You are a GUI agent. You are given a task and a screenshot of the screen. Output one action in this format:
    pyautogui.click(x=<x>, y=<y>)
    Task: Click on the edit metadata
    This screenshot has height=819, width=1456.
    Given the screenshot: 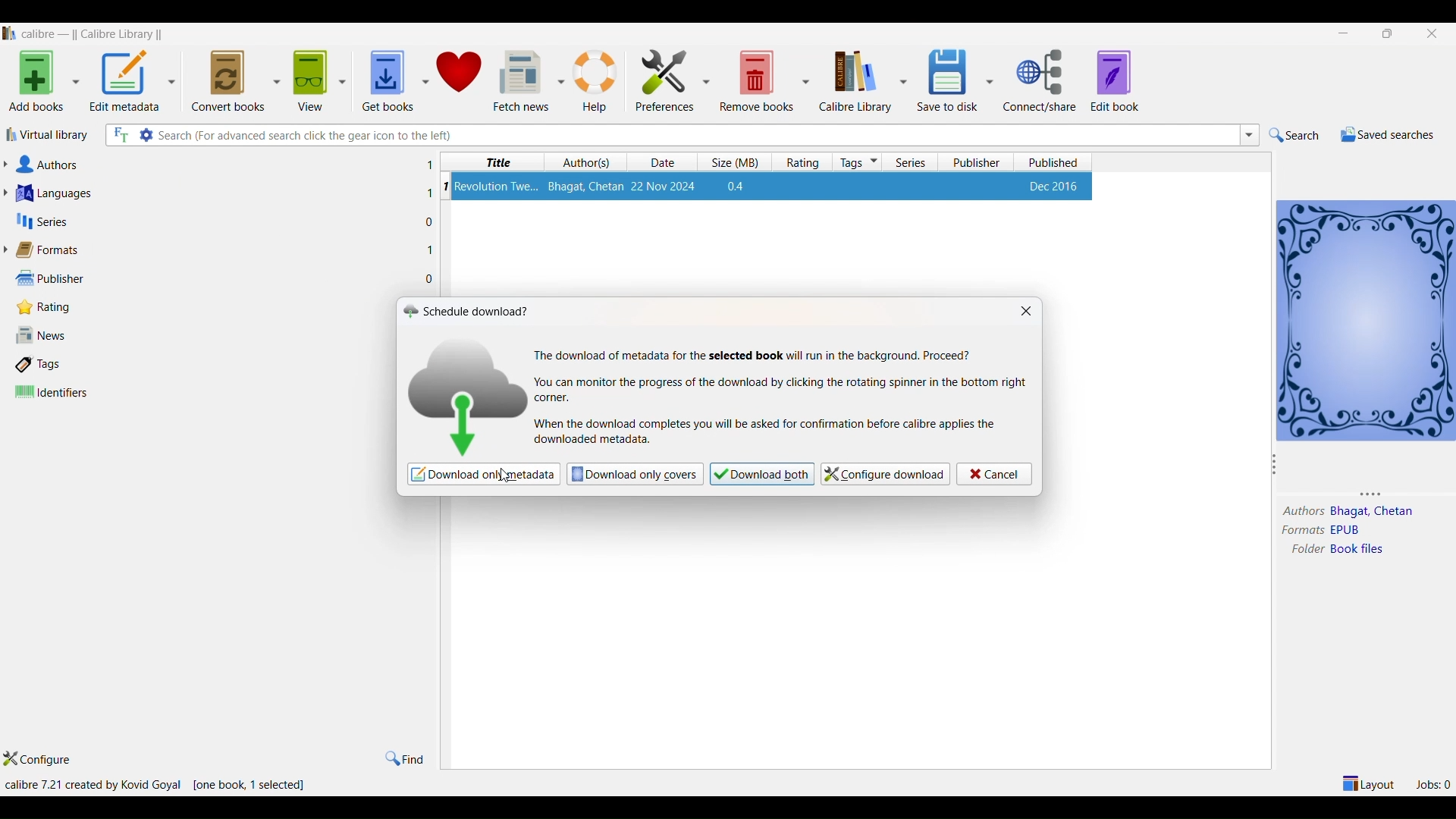 What is the action you would take?
    pyautogui.click(x=126, y=80)
    